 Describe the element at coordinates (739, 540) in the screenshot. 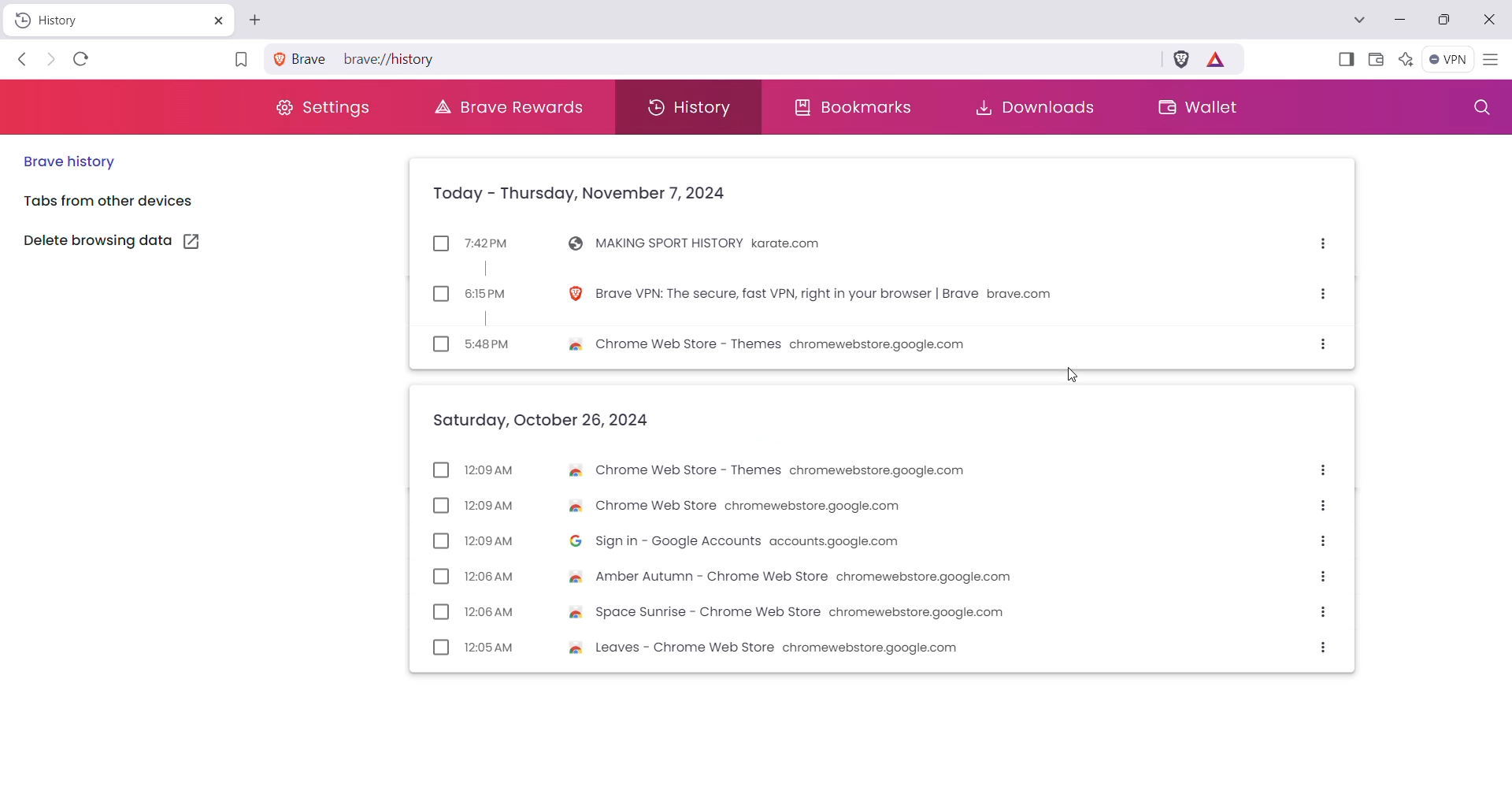

I see `Sign in - Google Accounts accounts.google.com` at that location.